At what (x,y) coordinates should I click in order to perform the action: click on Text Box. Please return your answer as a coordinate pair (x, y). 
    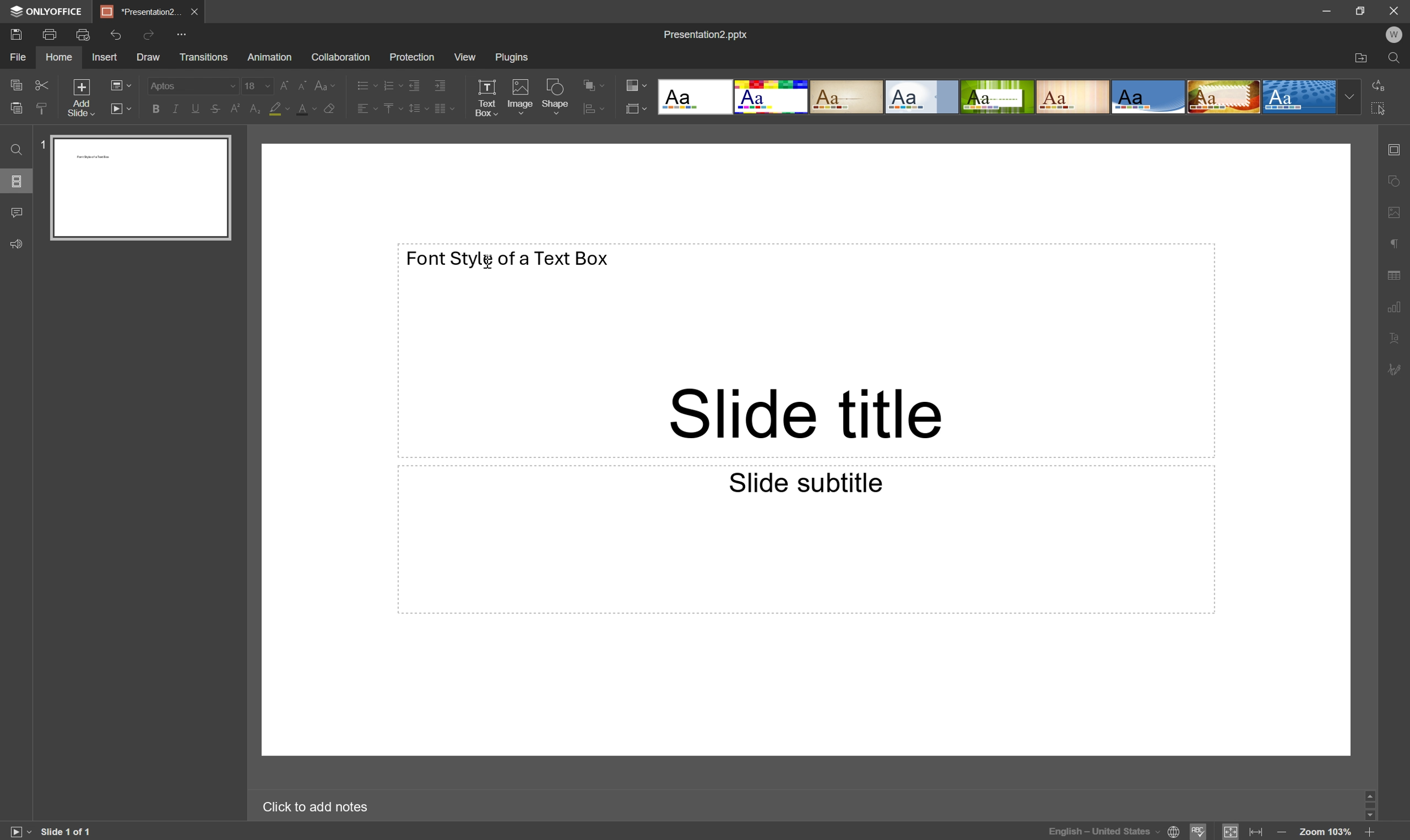
    Looking at the image, I should click on (486, 97).